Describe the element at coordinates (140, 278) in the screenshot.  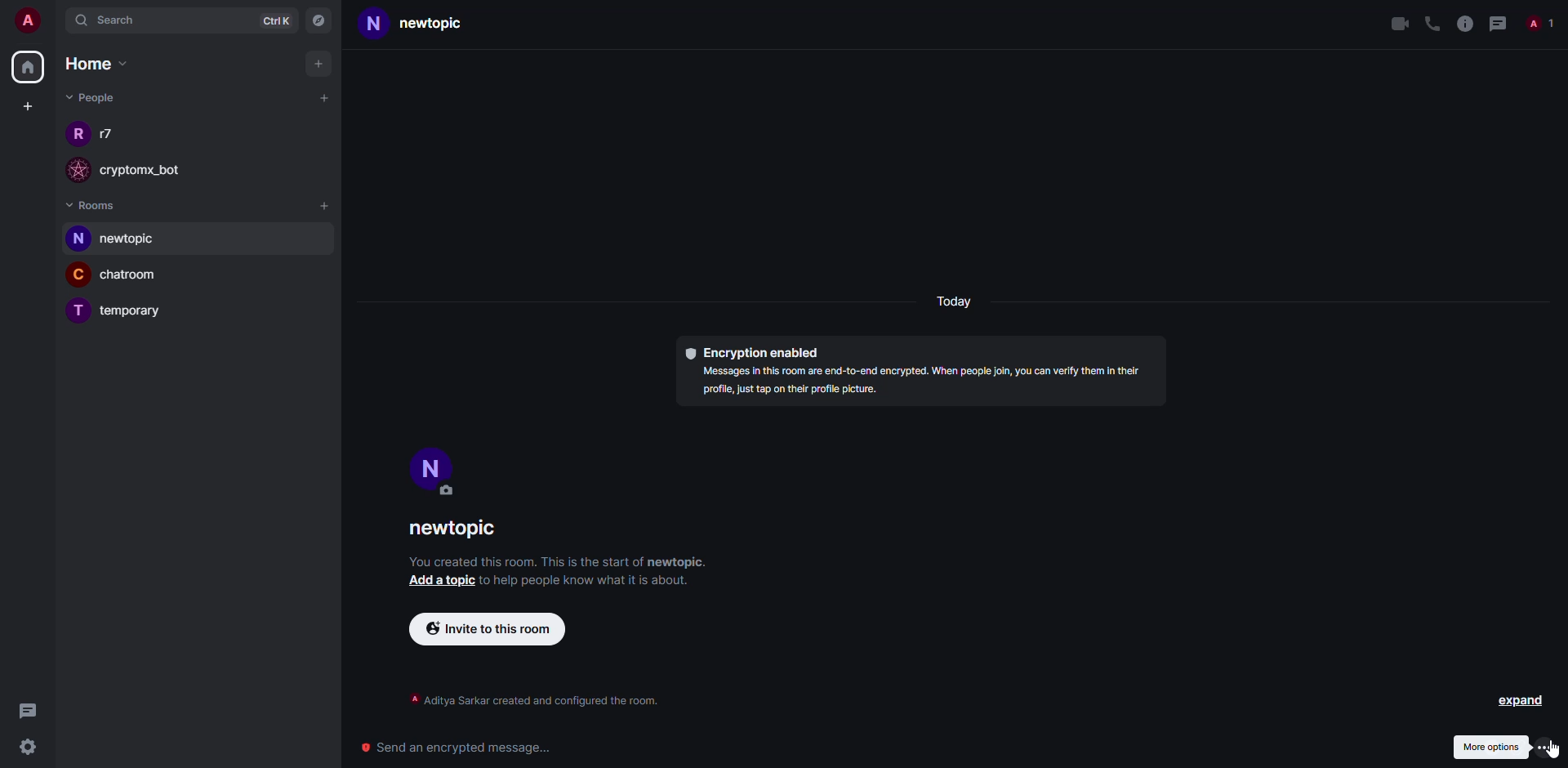
I see `room` at that location.